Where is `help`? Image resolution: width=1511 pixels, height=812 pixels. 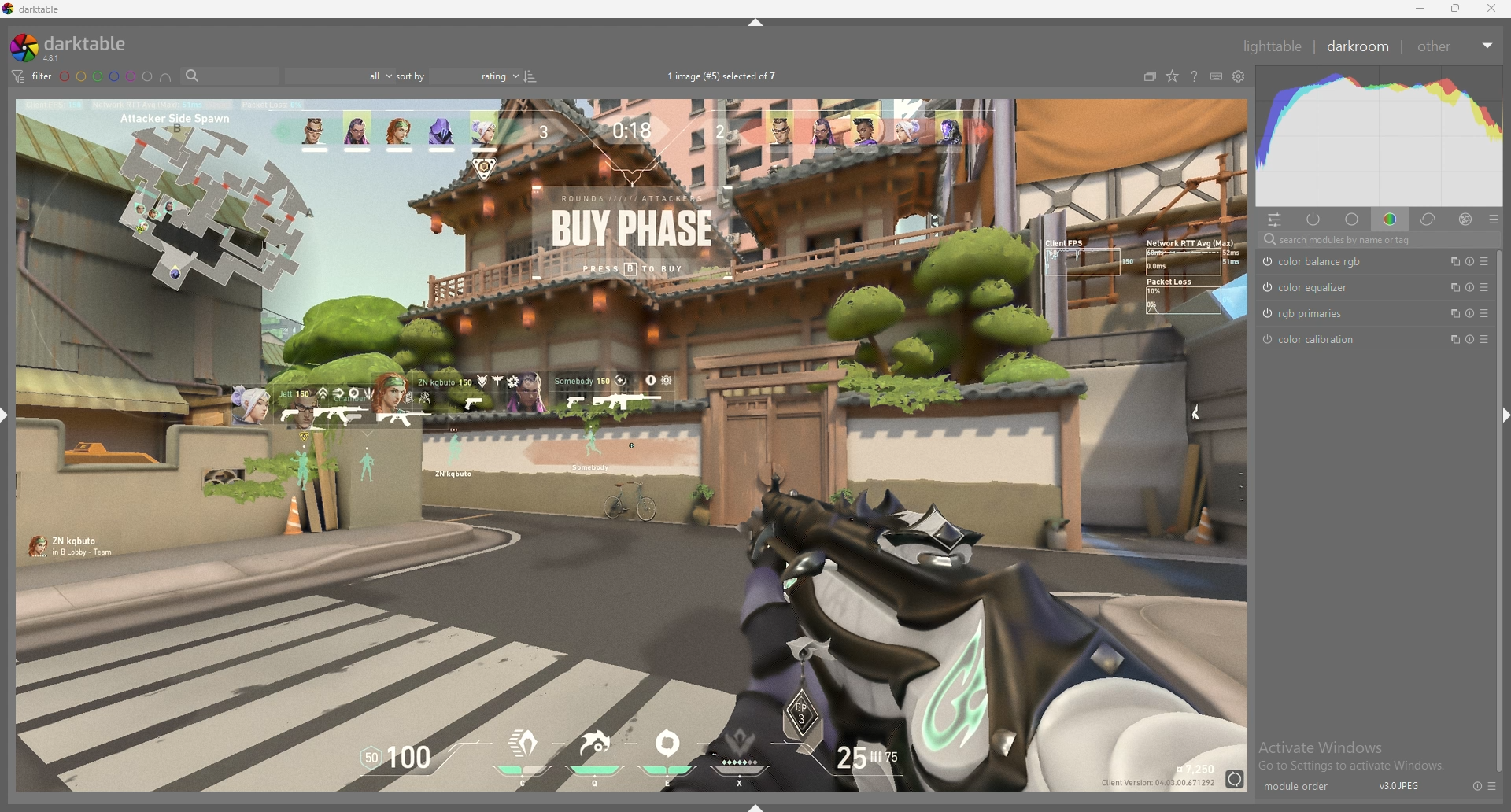
help is located at coordinates (1194, 78).